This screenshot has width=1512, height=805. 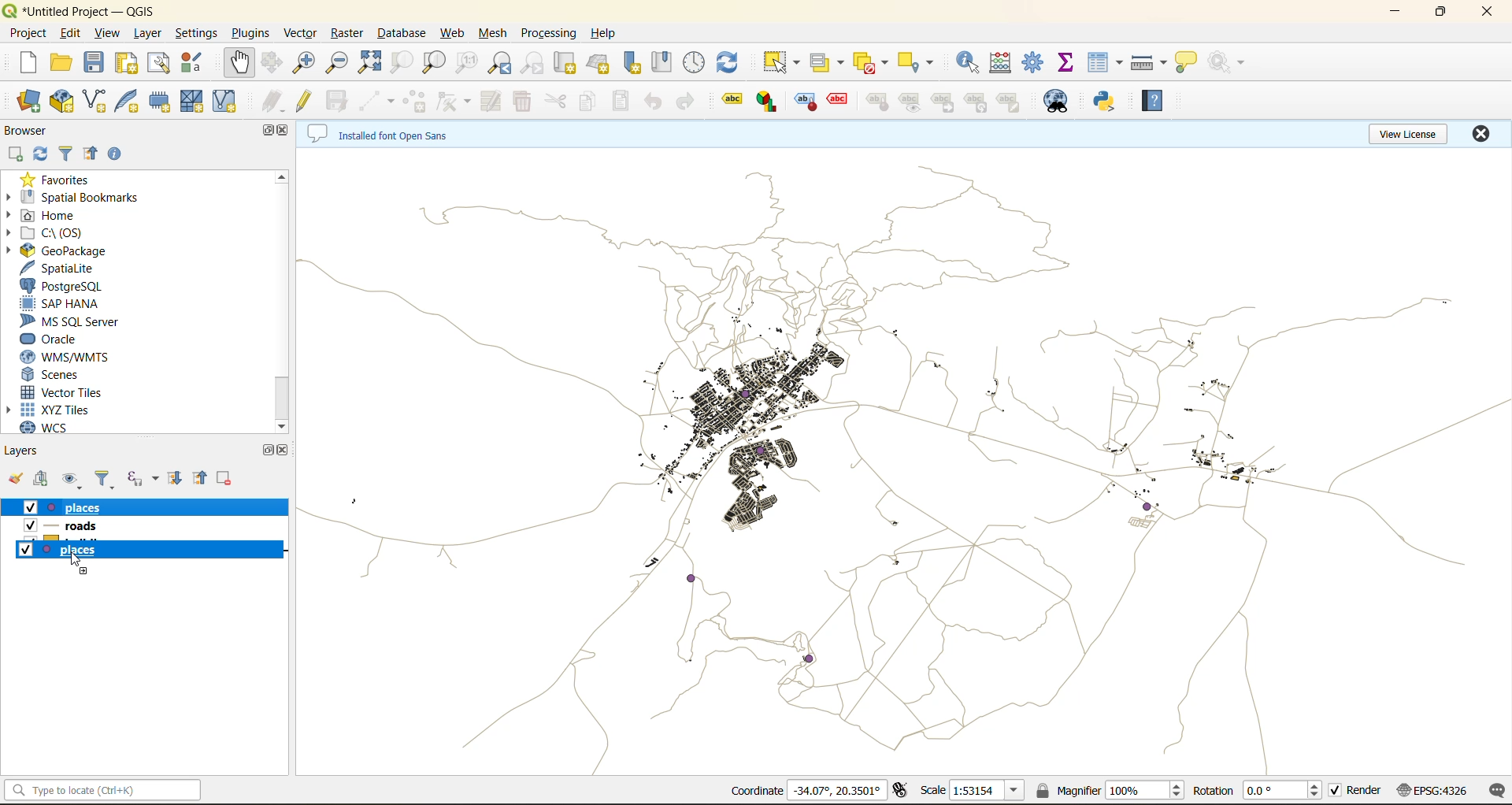 I want to click on pin/unpin labels and diagrams, so click(x=876, y=102).